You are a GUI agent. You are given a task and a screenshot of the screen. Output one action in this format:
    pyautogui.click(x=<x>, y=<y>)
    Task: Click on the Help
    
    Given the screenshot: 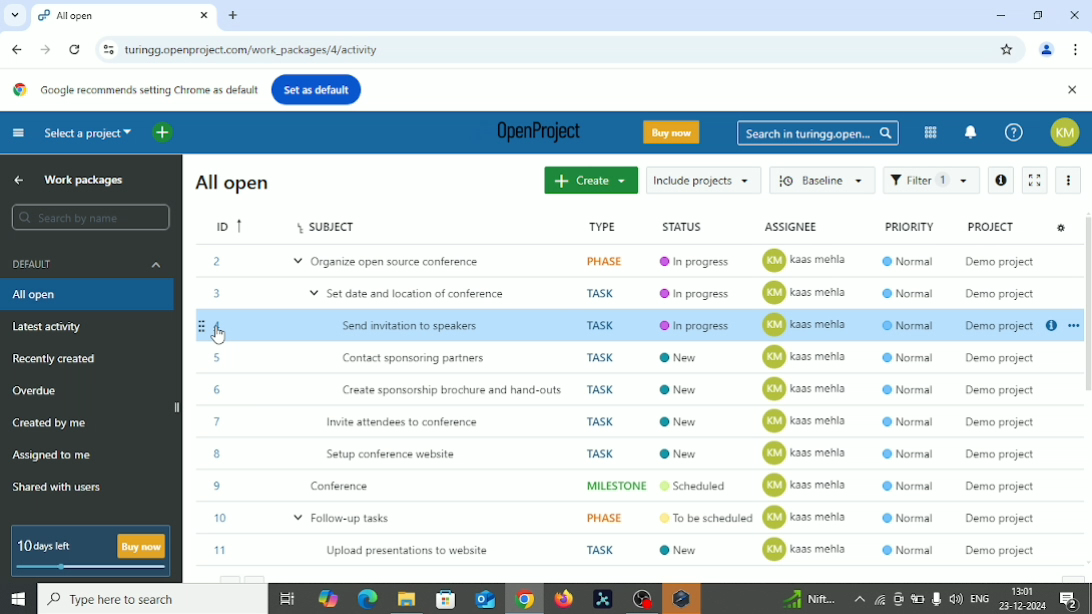 What is the action you would take?
    pyautogui.click(x=1014, y=132)
    